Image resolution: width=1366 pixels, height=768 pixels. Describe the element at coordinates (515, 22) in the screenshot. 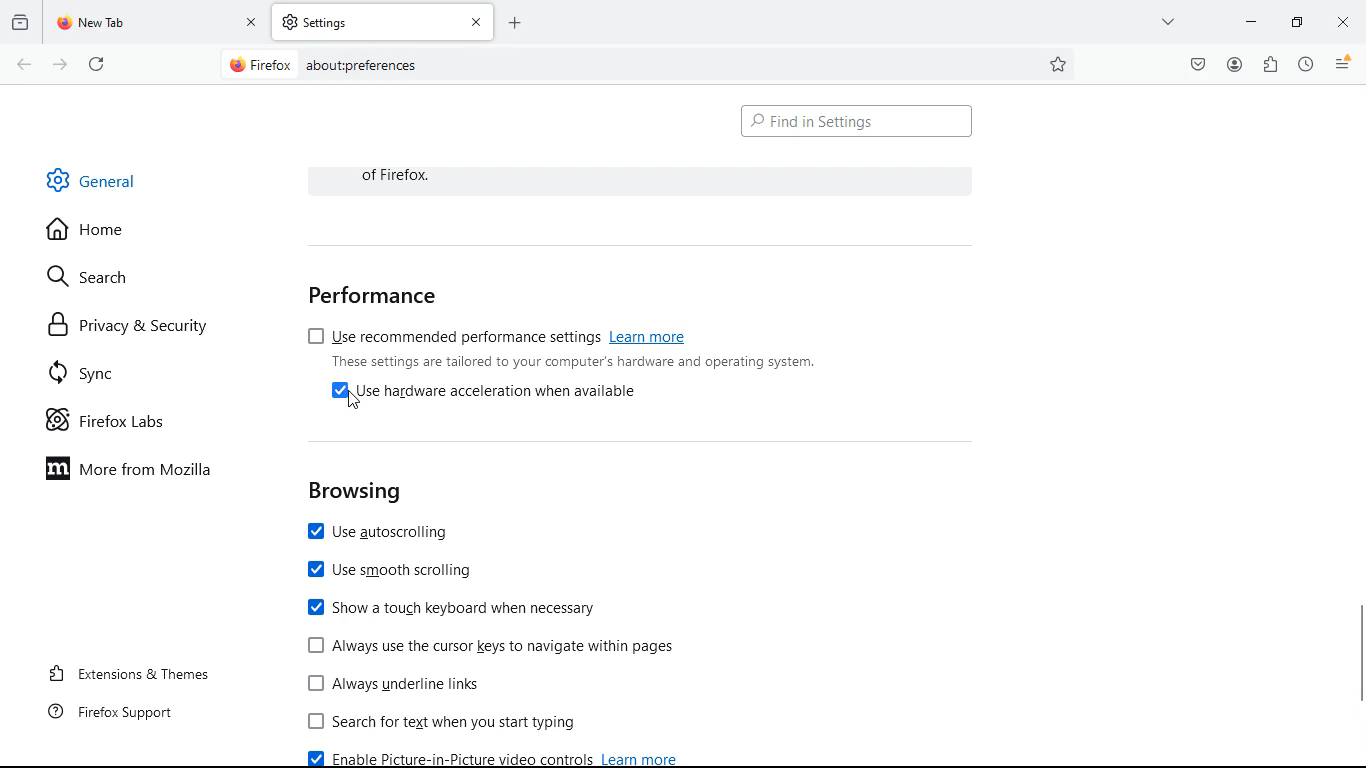

I see `add tab` at that location.